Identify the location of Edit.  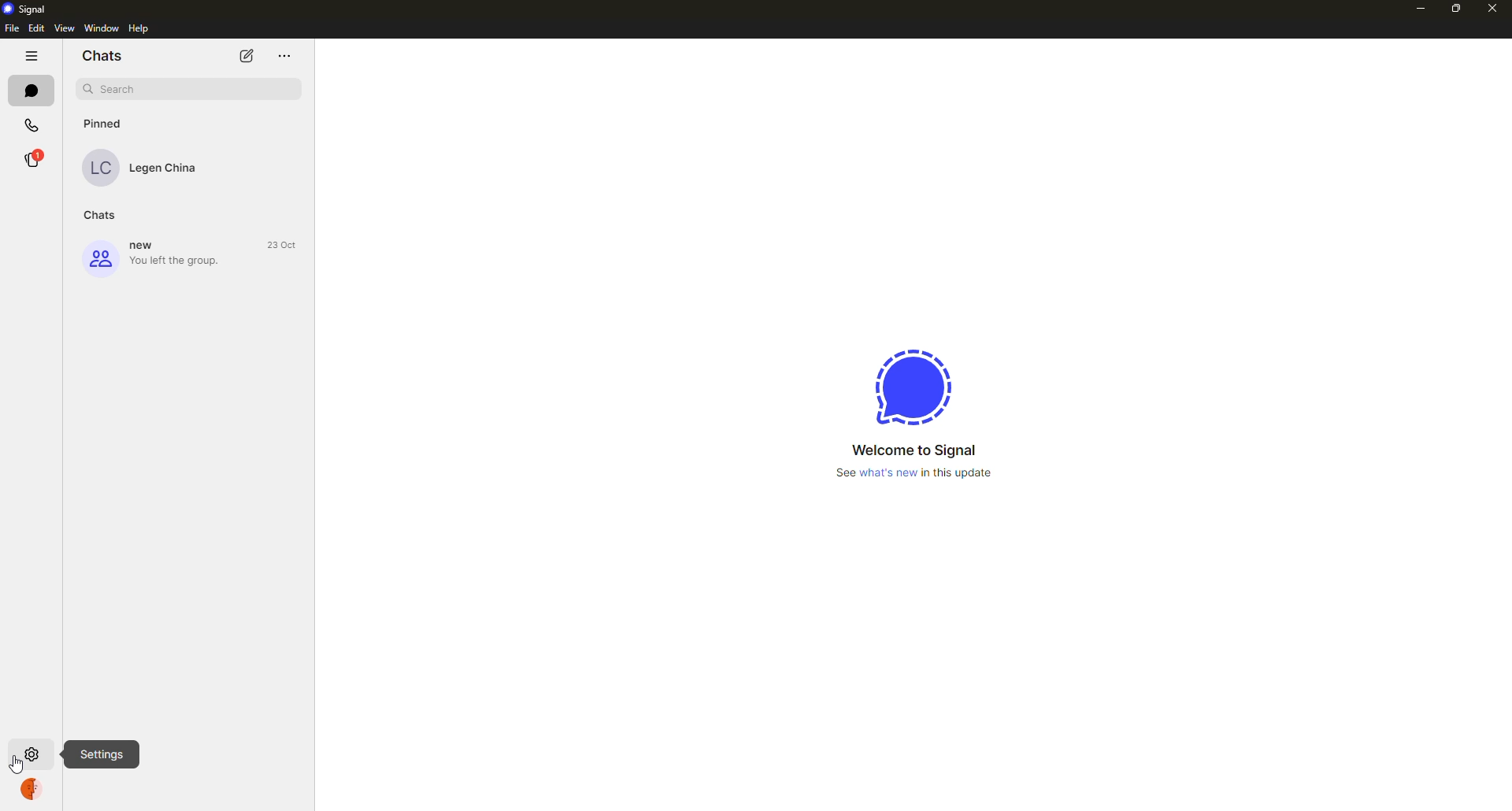
(37, 28).